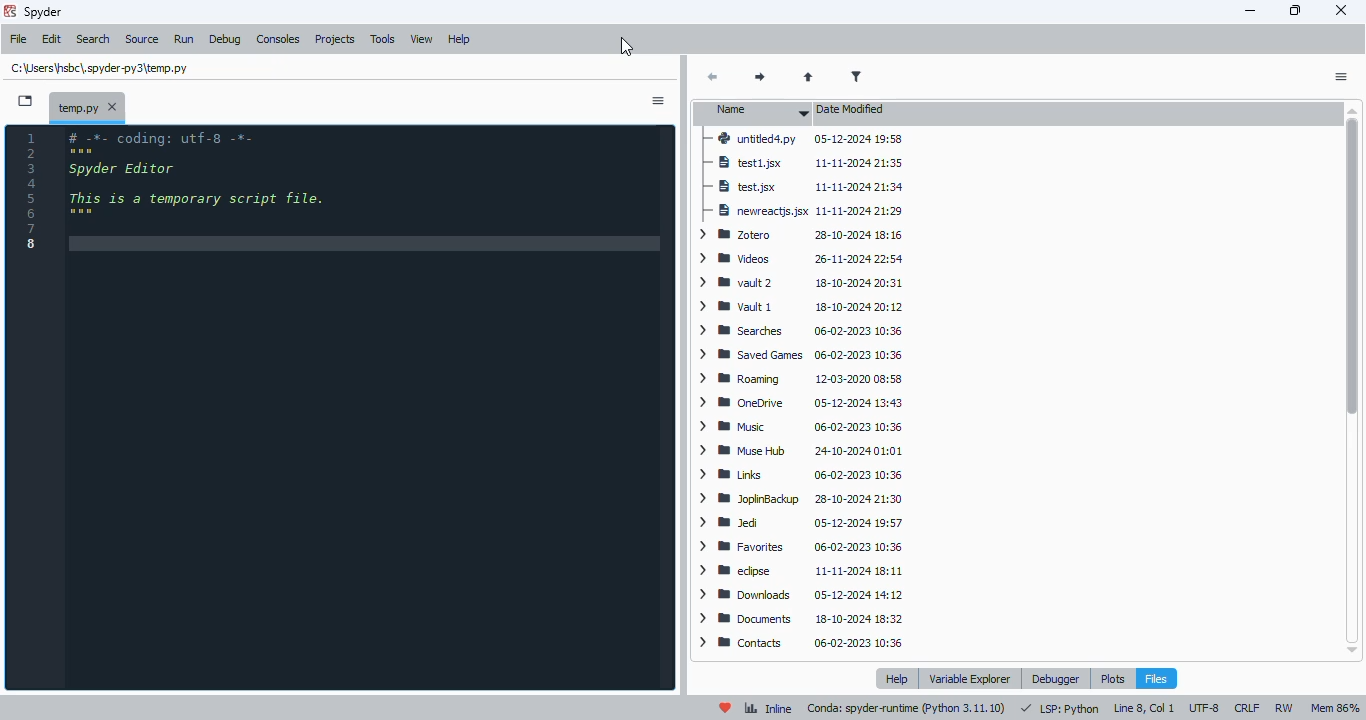 Image resolution: width=1366 pixels, height=720 pixels. I want to click on videos, so click(804, 258).